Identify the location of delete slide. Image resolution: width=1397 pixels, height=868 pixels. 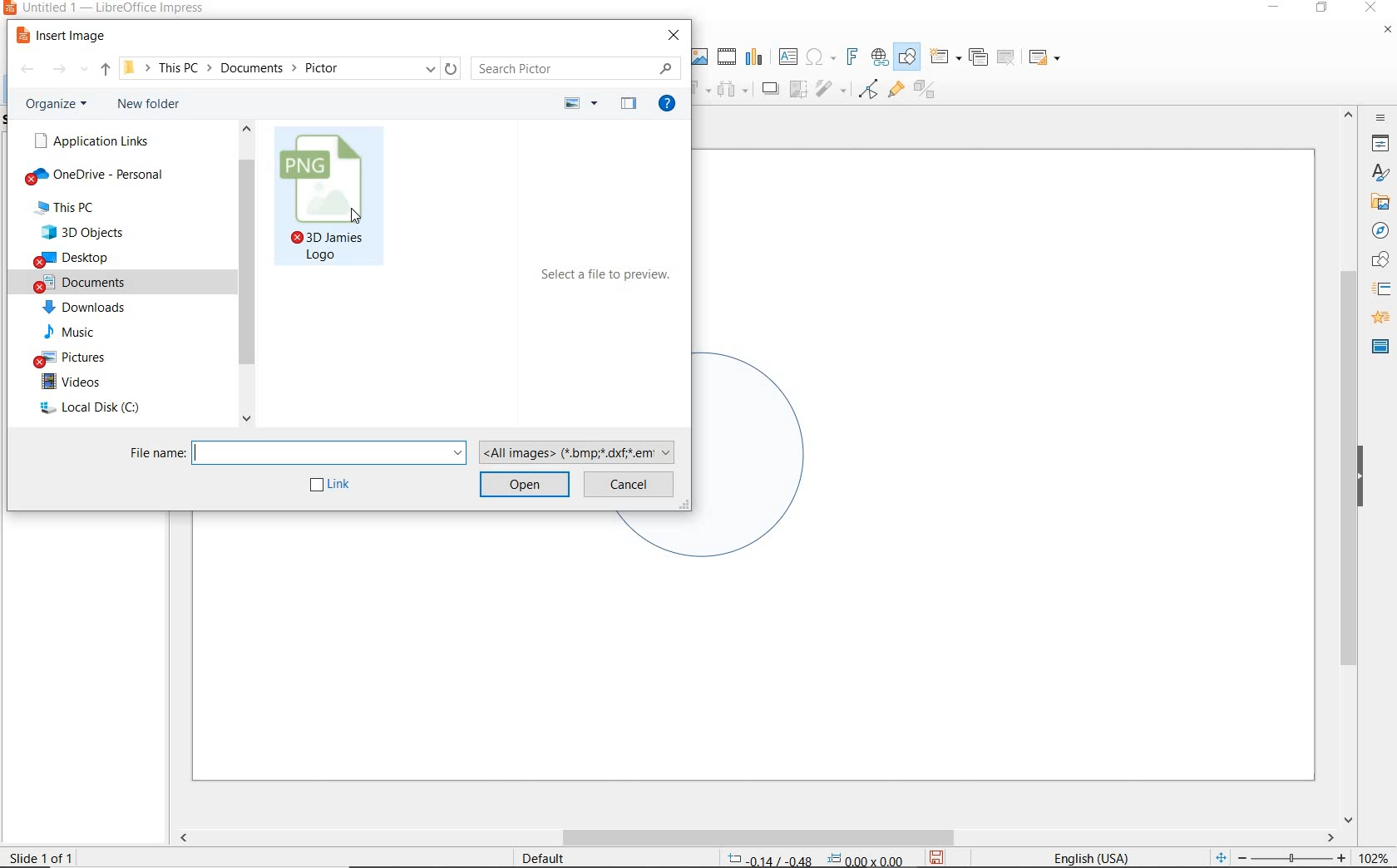
(1006, 58).